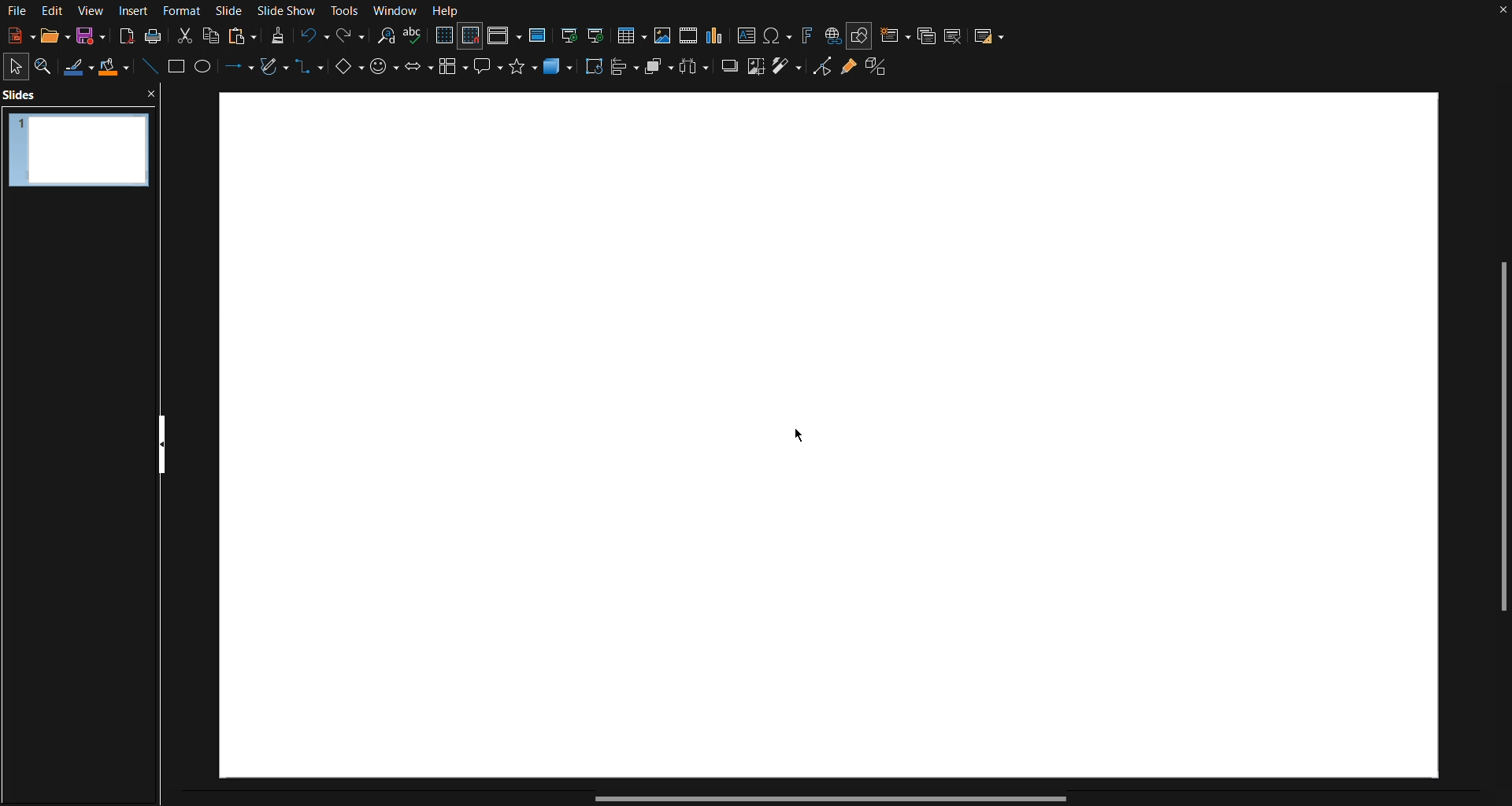 The width and height of the screenshot is (1512, 806). Describe the element at coordinates (454, 72) in the screenshot. I see `Flowcharts` at that location.